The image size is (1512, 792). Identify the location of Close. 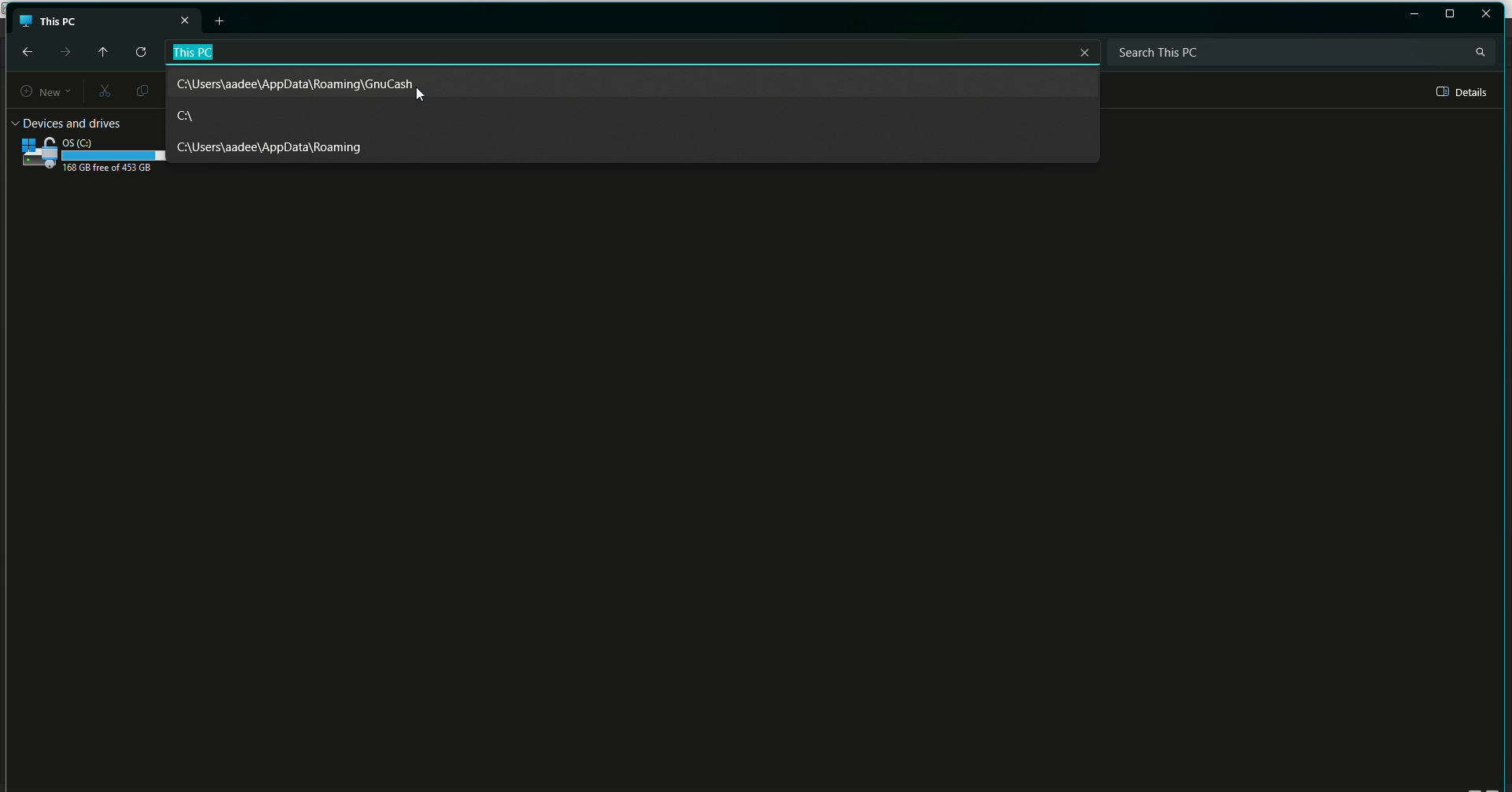
(1487, 13).